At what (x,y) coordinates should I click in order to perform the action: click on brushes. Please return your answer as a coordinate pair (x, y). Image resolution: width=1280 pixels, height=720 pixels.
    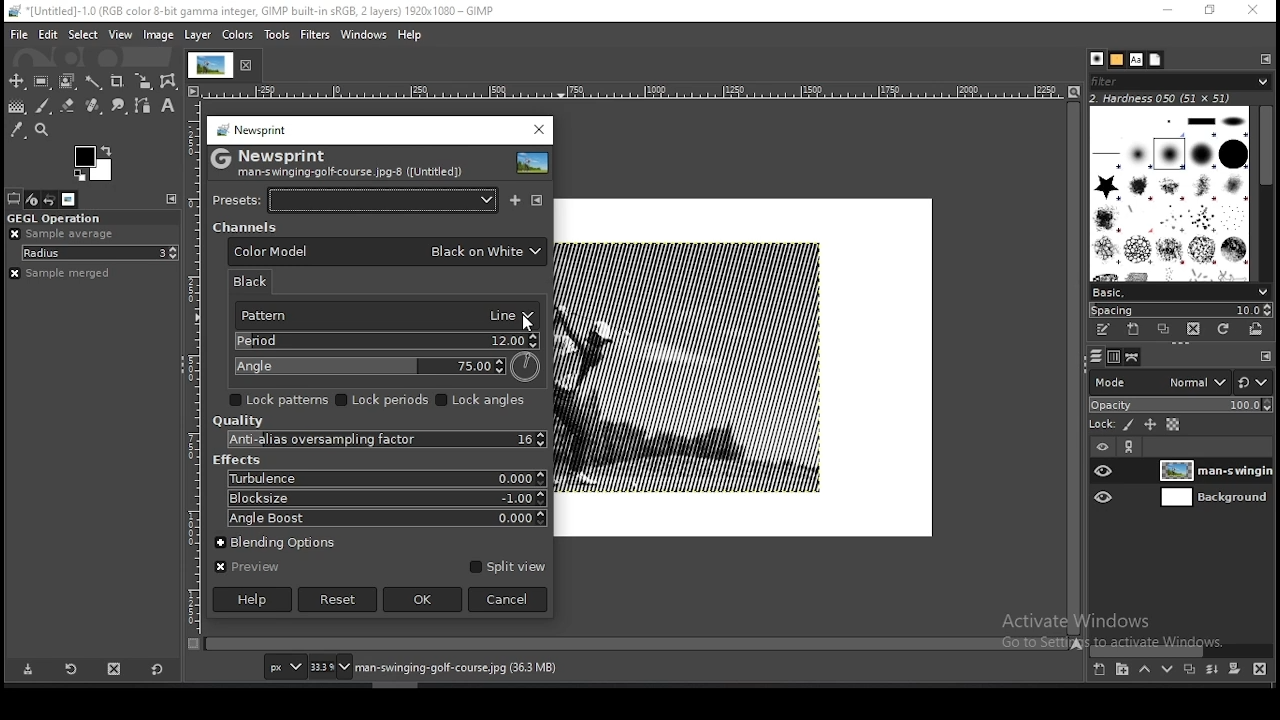
    Looking at the image, I should click on (1169, 193).